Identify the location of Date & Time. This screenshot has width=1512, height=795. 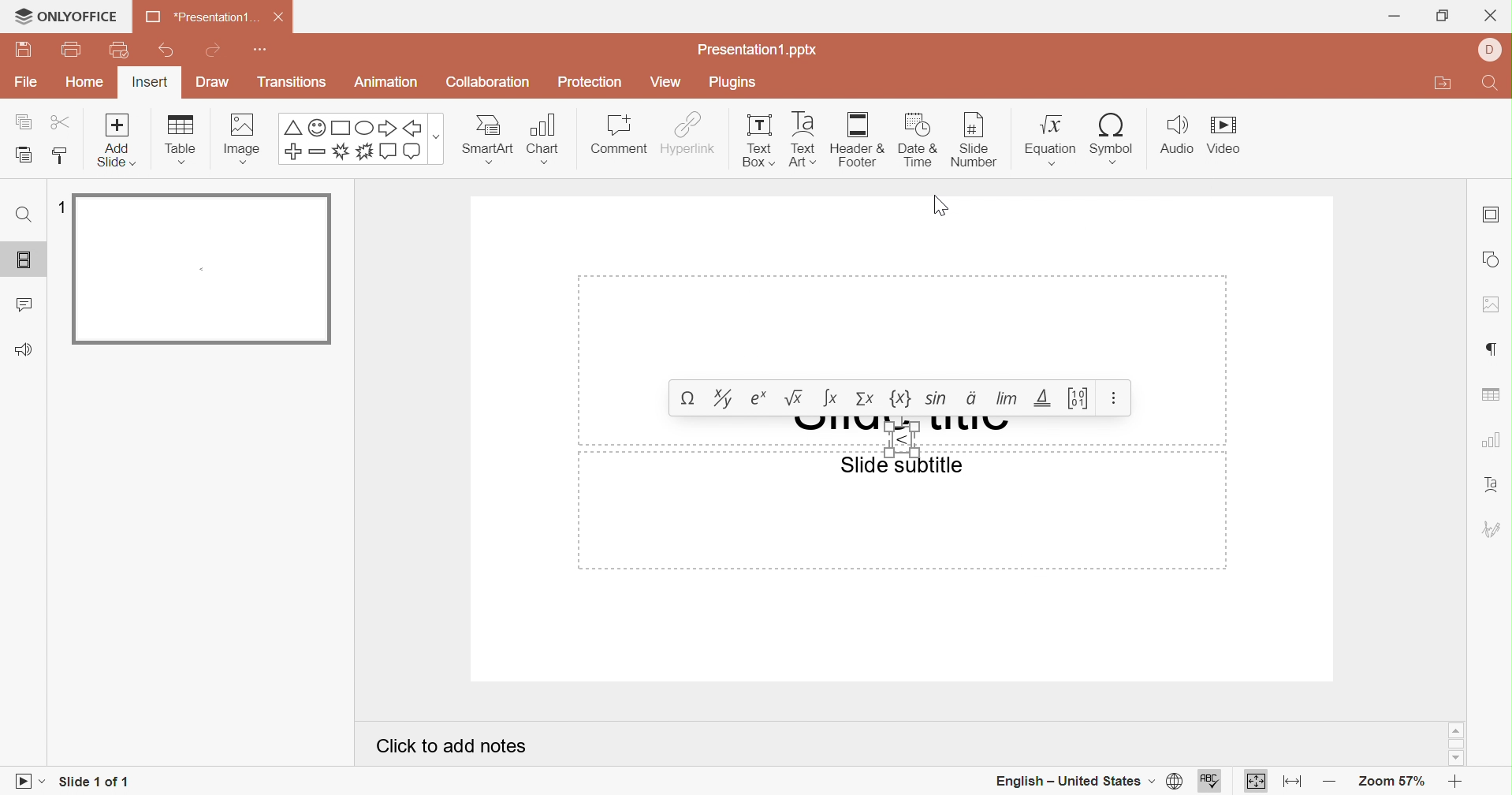
(919, 139).